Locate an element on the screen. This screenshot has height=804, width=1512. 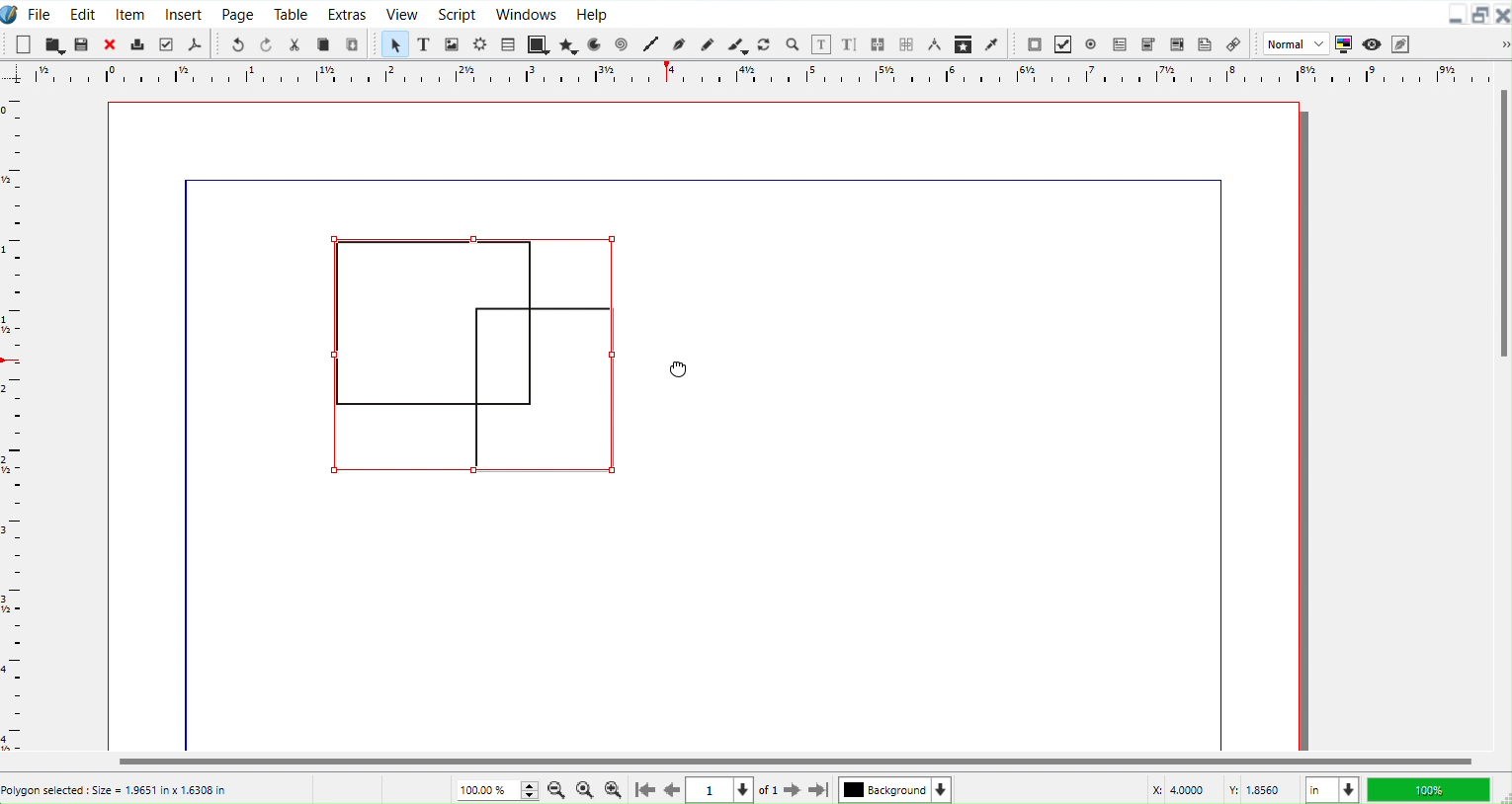
of 1 is located at coordinates (768, 791).